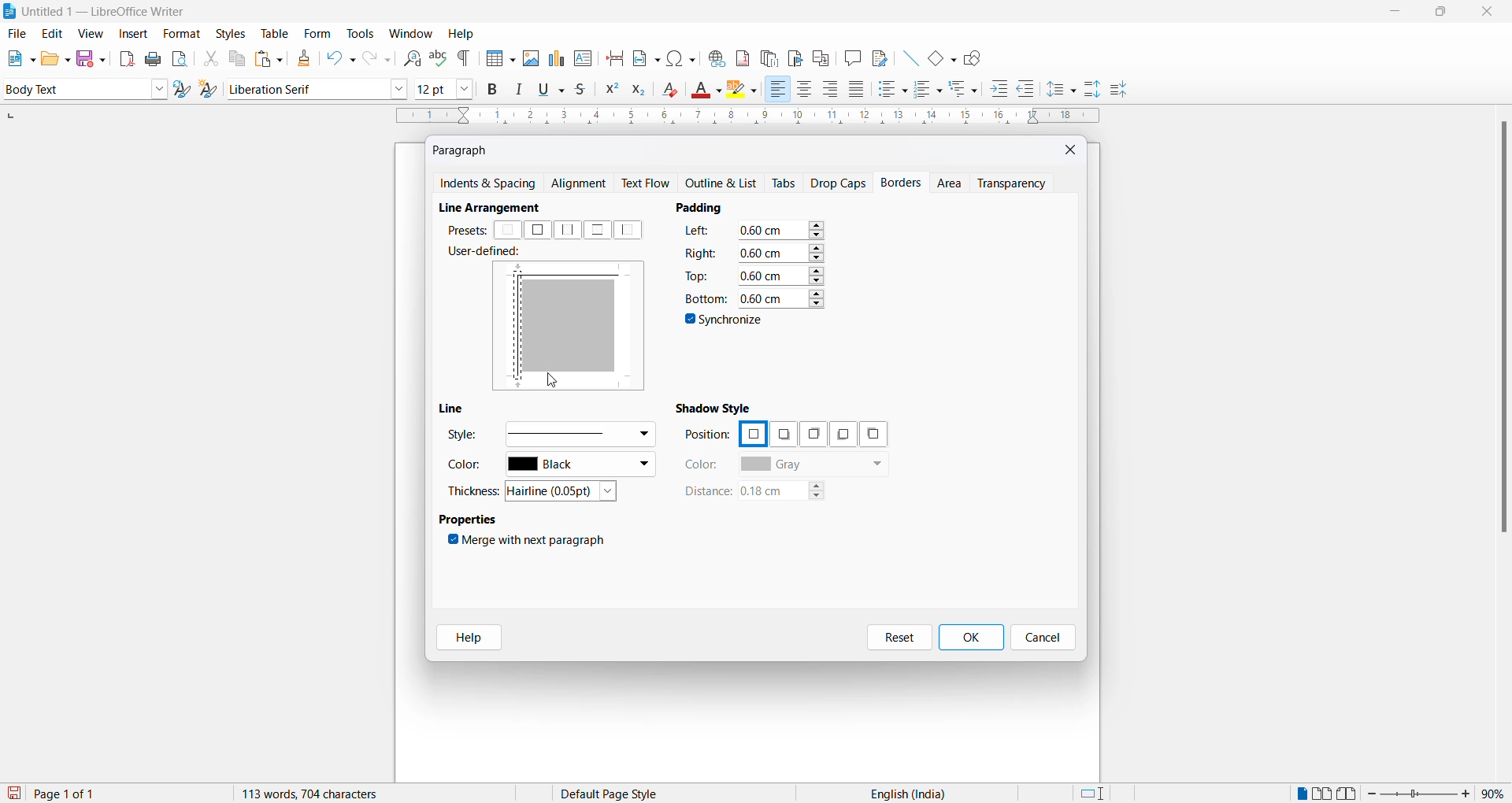  I want to click on font size, so click(432, 88).